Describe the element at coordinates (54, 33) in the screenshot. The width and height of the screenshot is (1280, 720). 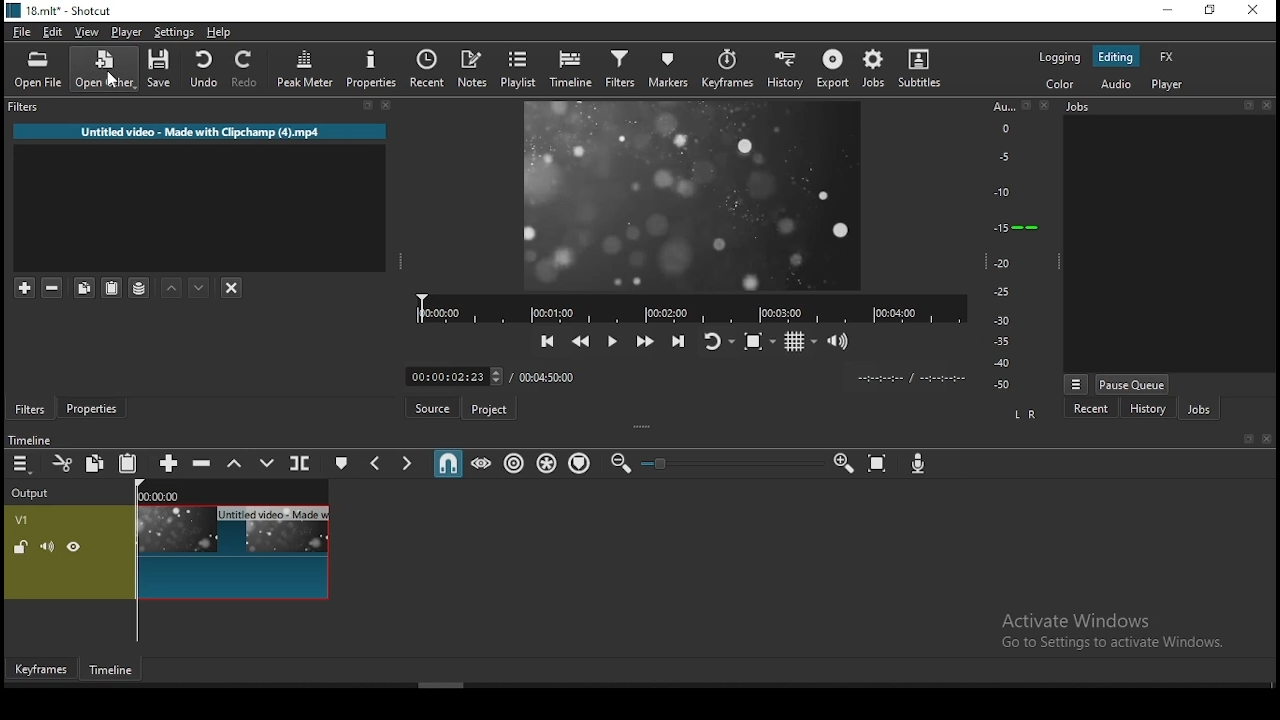
I see `edit` at that location.